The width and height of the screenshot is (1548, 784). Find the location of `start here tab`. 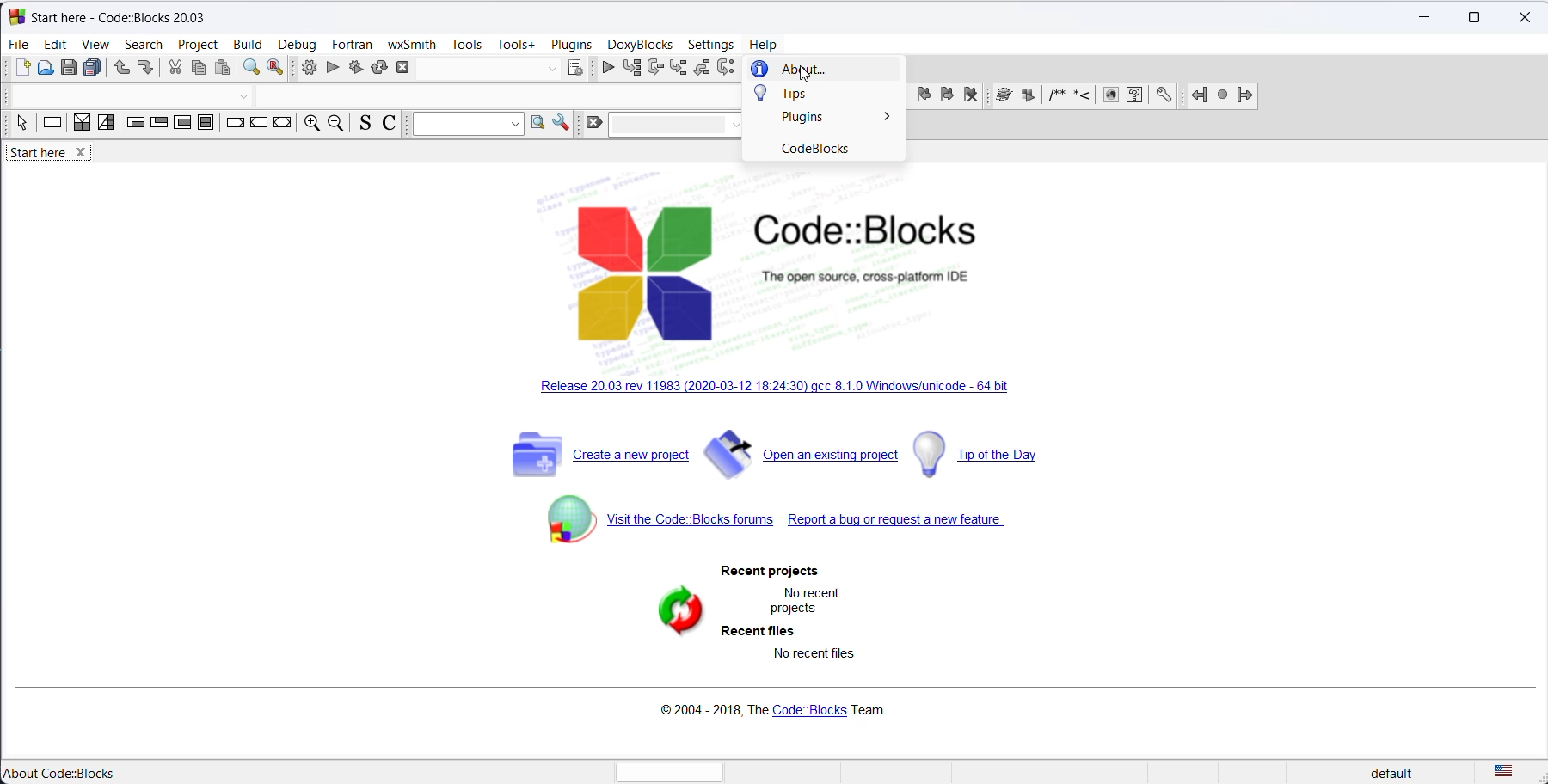

start here tab is located at coordinates (53, 154).